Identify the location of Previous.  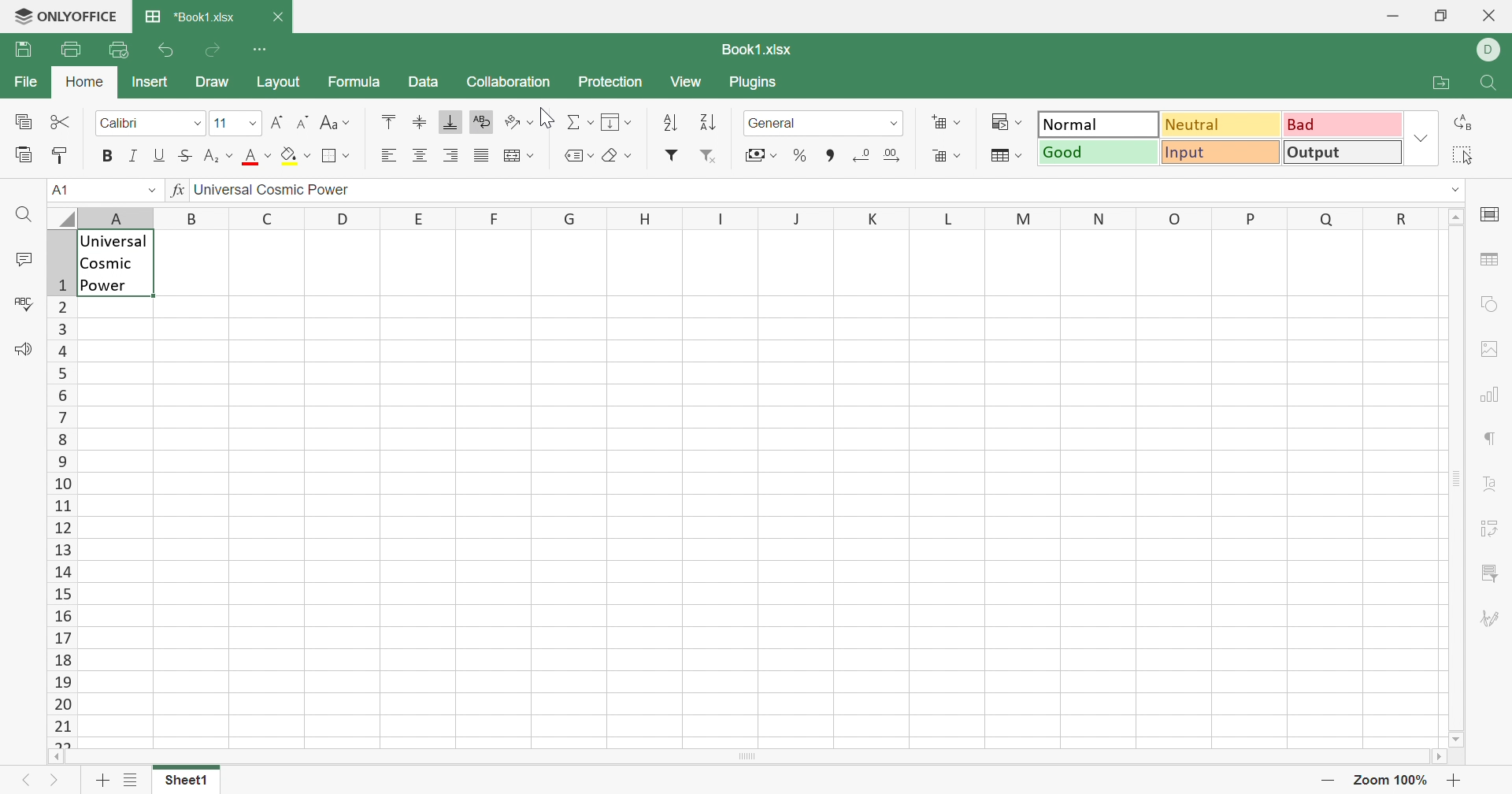
(32, 778).